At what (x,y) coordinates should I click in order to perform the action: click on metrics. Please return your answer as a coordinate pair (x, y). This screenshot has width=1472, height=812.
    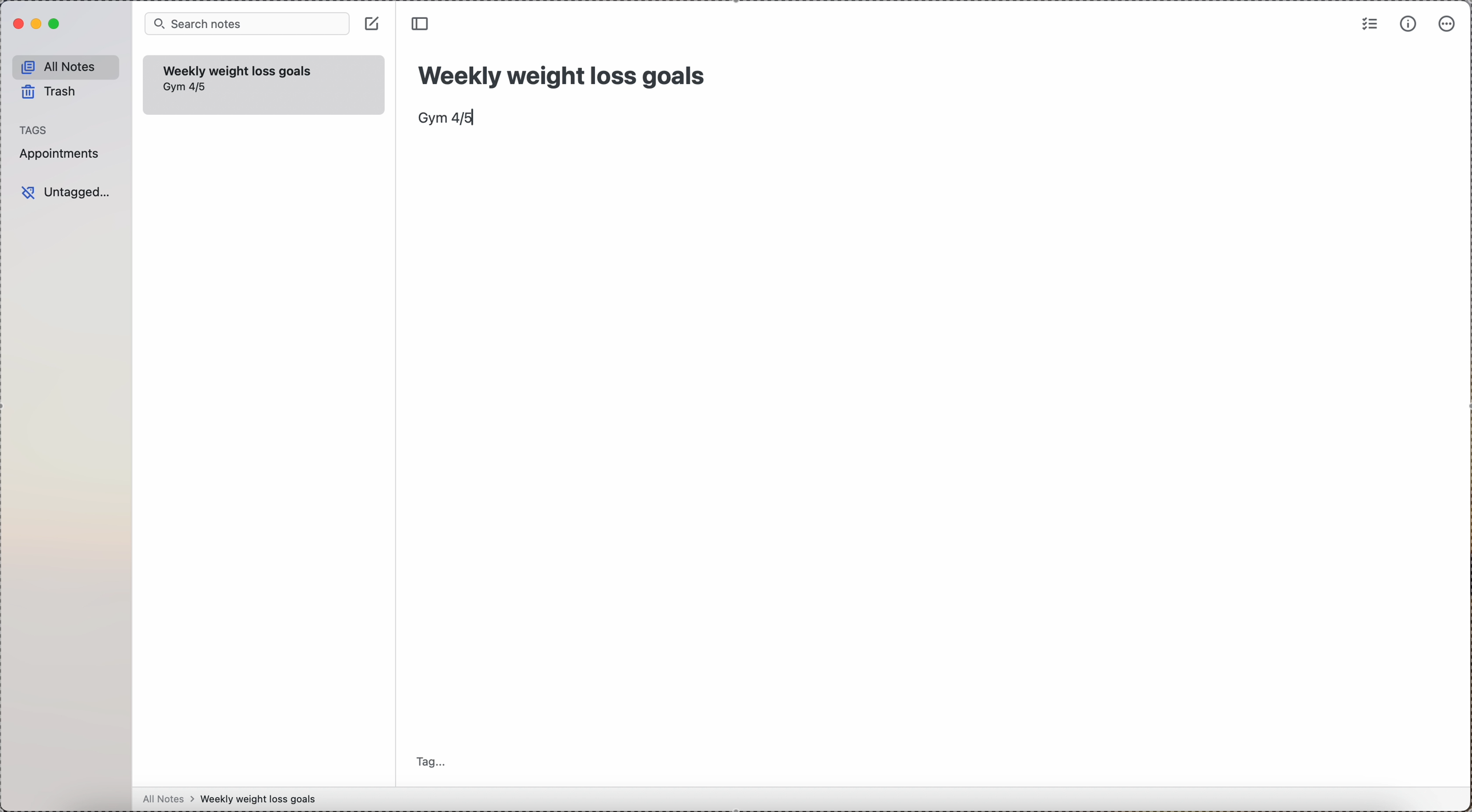
    Looking at the image, I should click on (1407, 25).